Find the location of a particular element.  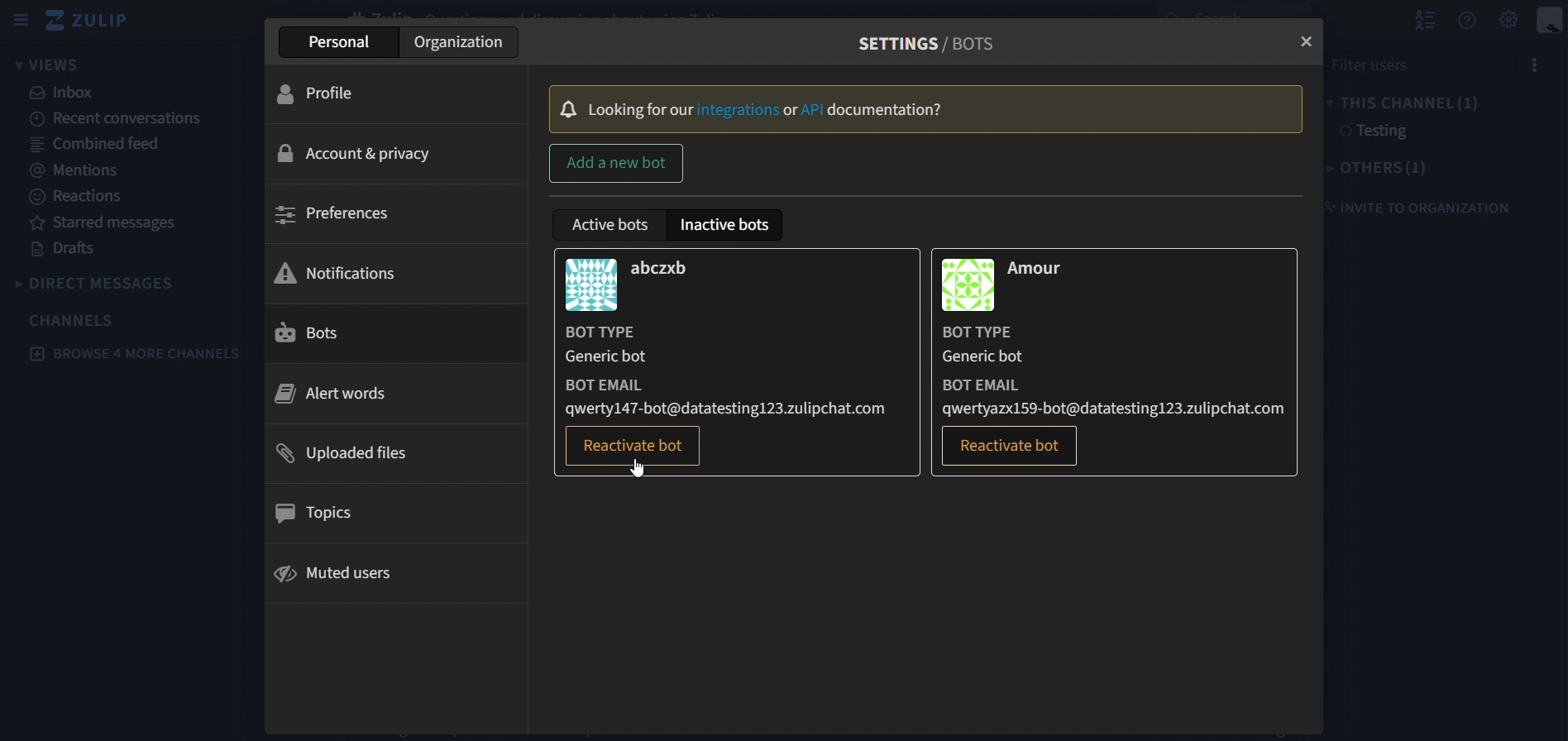

views is located at coordinates (52, 65).